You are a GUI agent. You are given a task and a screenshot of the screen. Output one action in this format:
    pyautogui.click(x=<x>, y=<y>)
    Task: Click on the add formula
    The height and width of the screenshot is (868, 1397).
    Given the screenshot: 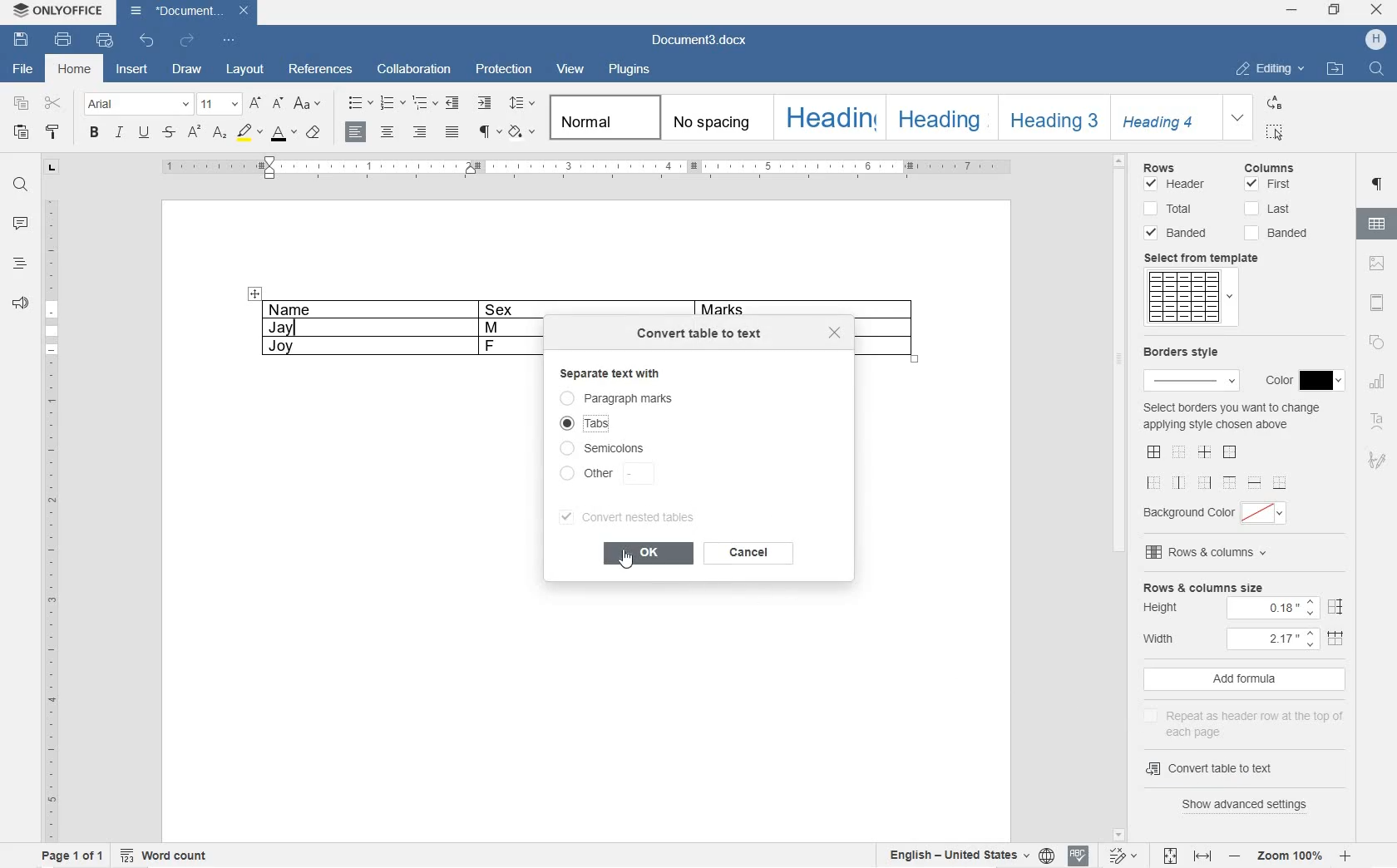 What is the action you would take?
    pyautogui.click(x=1239, y=680)
    